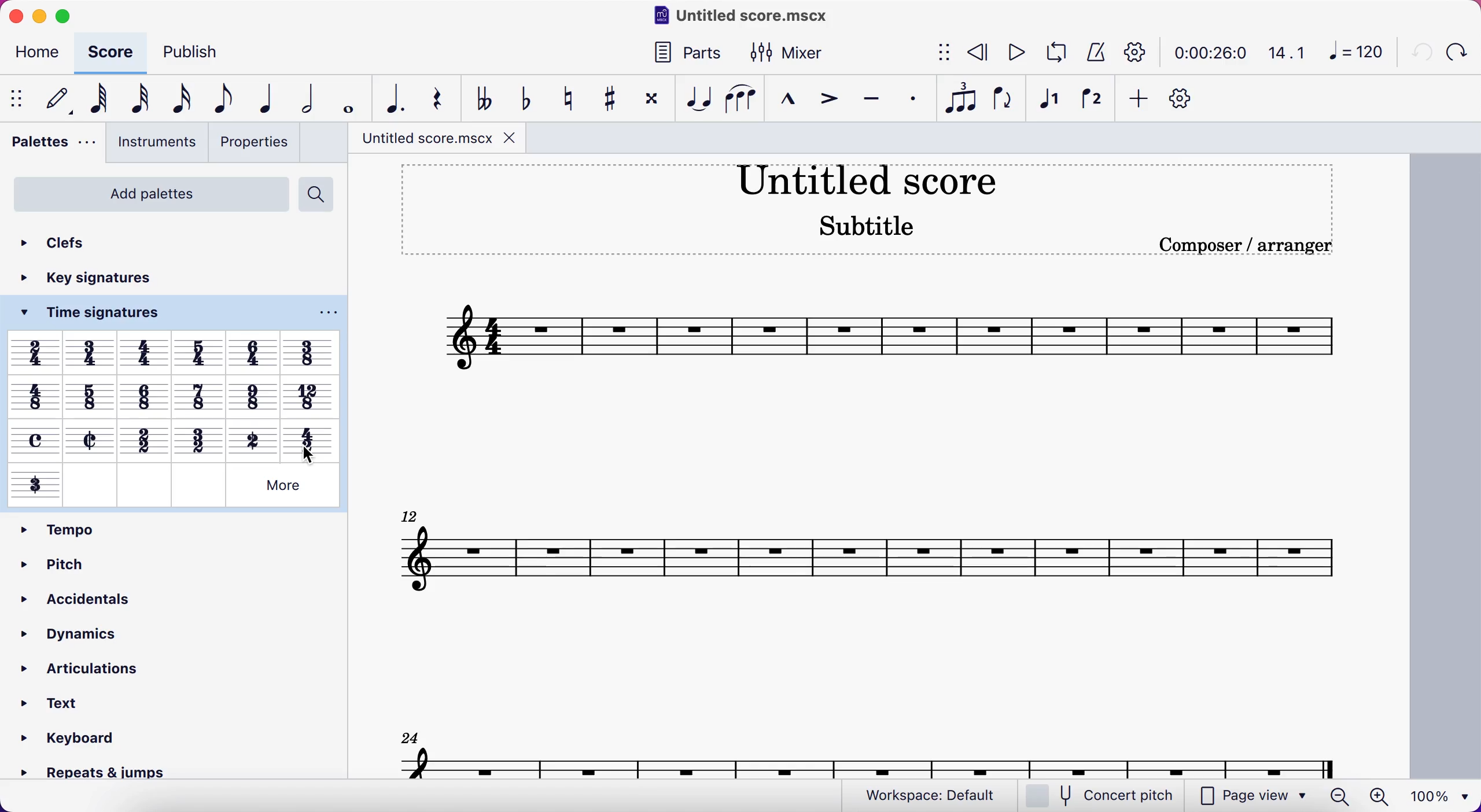 This screenshot has width=1481, height=812. What do you see at coordinates (1459, 51) in the screenshot?
I see `redo` at bounding box center [1459, 51].